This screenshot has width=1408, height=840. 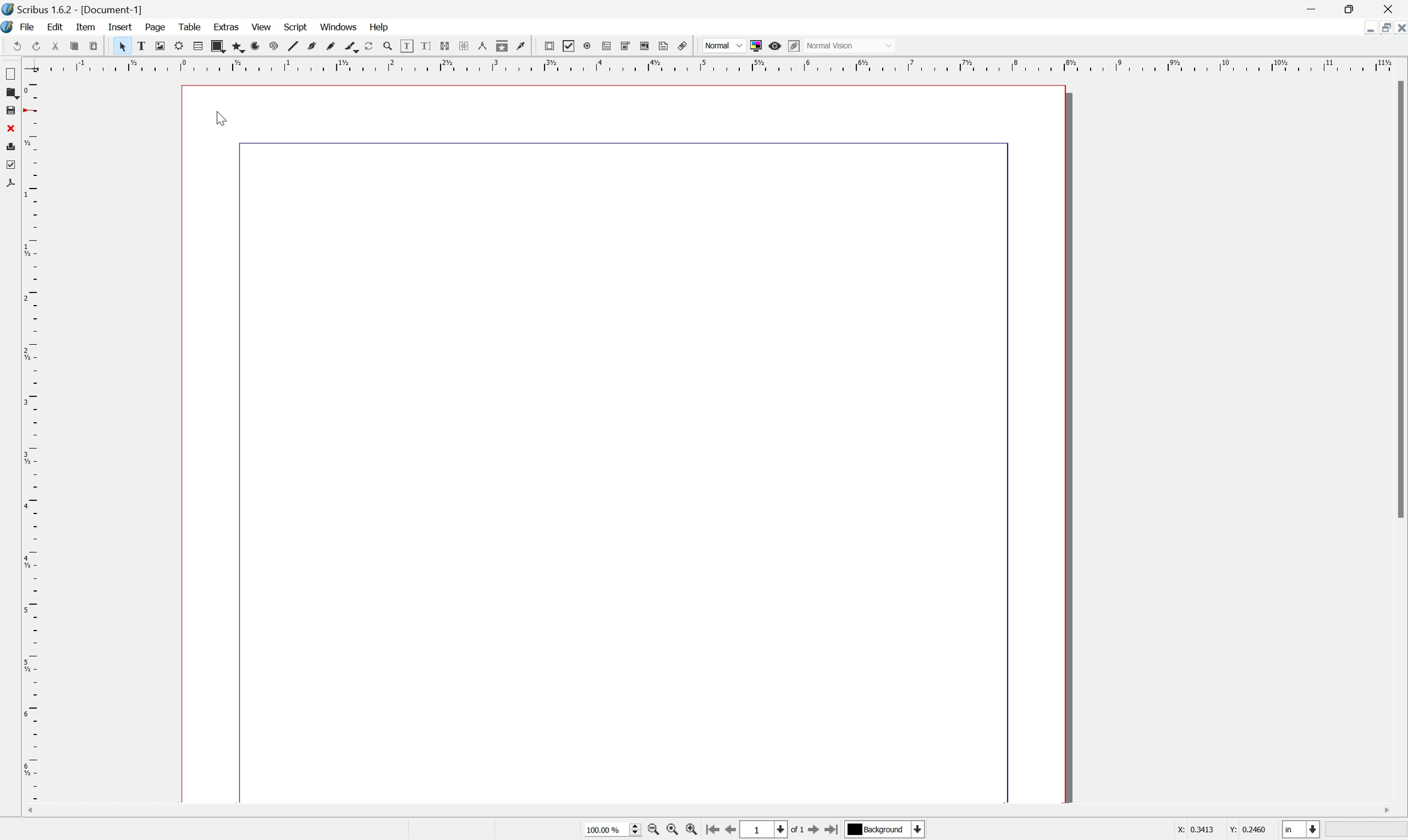 I want to click on cut, so click(x=199, y=46).